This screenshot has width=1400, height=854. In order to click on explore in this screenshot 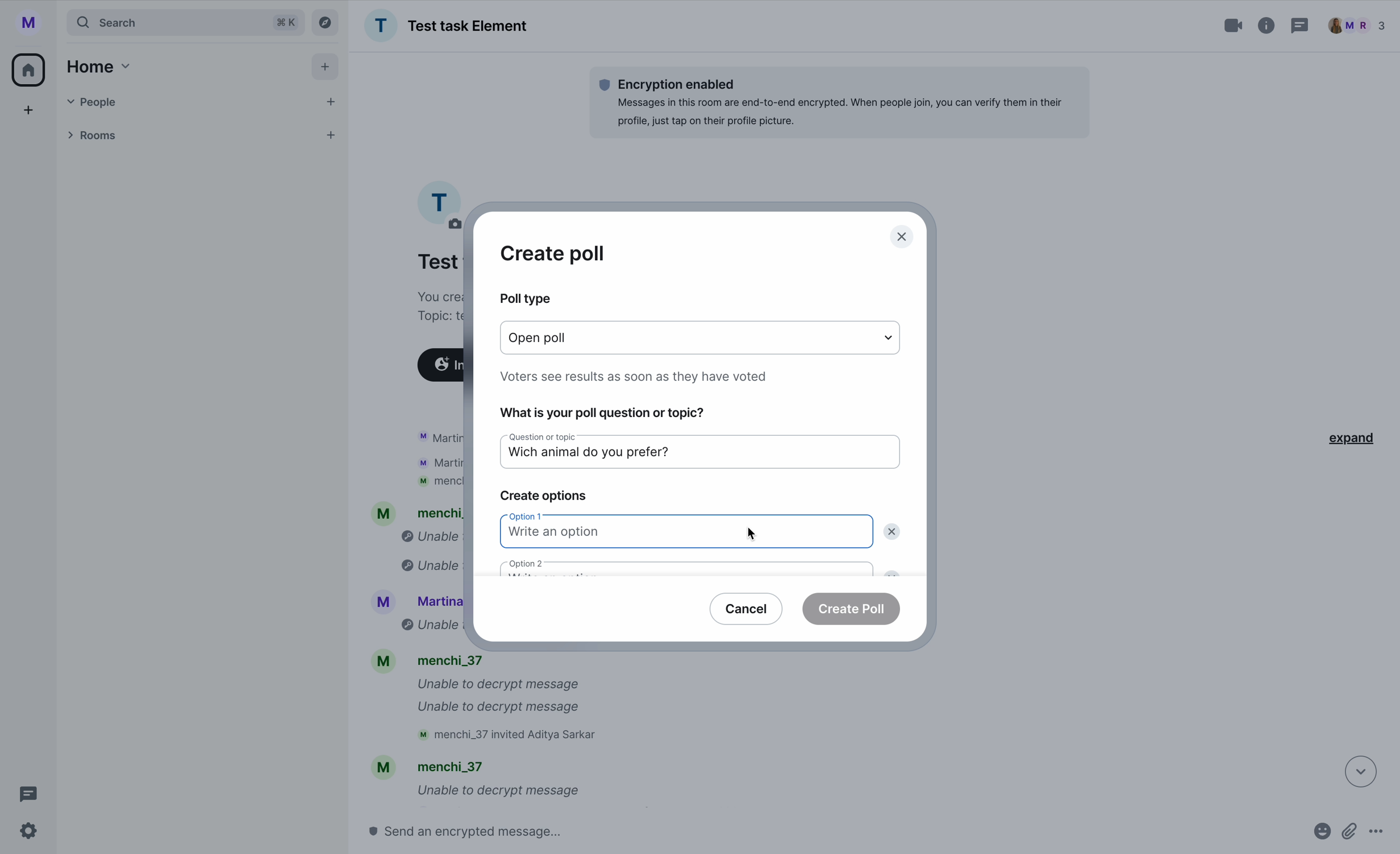, I will do `click(328, 22)`.